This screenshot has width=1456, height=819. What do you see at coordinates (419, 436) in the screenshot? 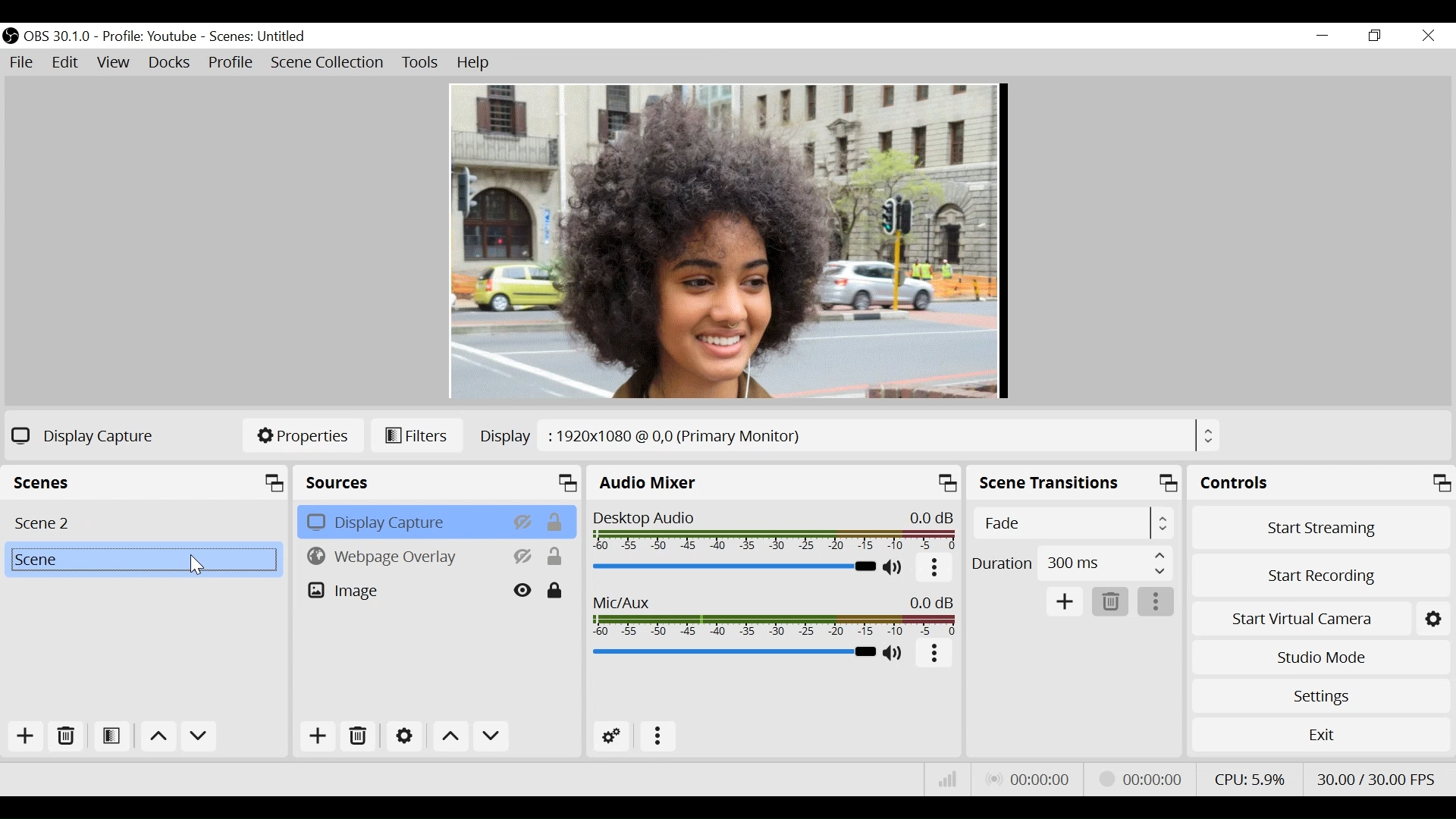
I see `Filters` at bounding box center [419, 436].